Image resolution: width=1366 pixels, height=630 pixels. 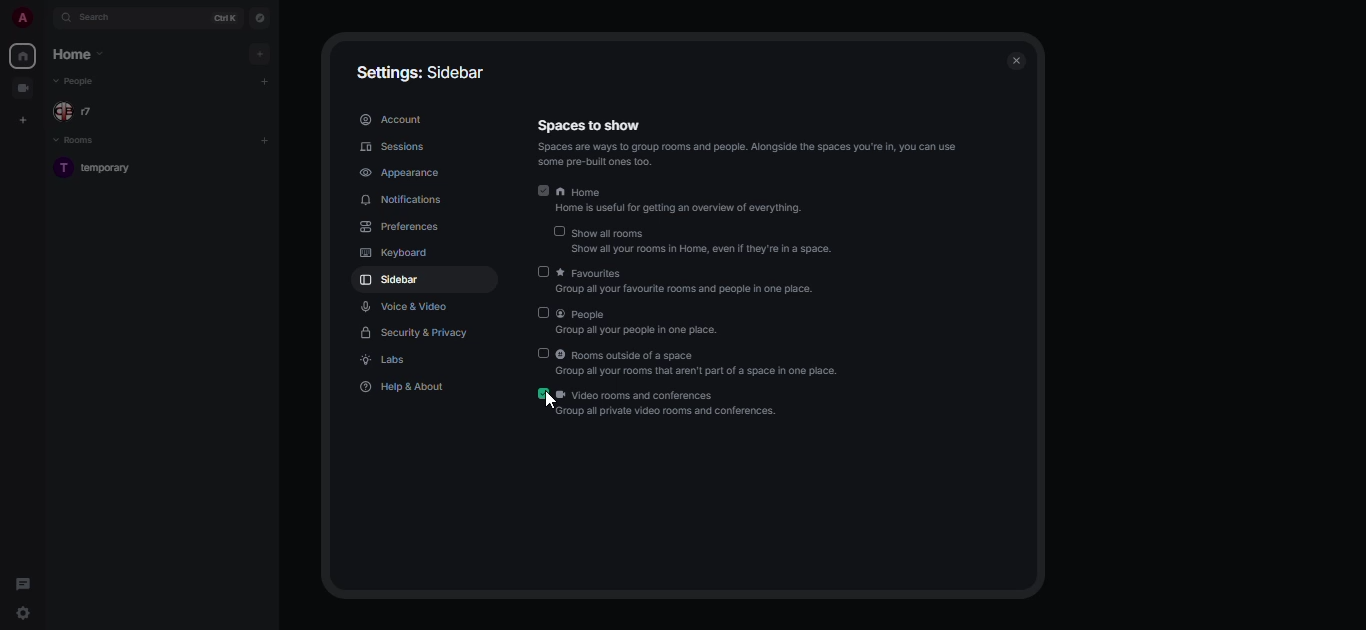 What do you see at coordinates (681, 201) in the screenshot?
I see `home` at bounding box center [681, 201].